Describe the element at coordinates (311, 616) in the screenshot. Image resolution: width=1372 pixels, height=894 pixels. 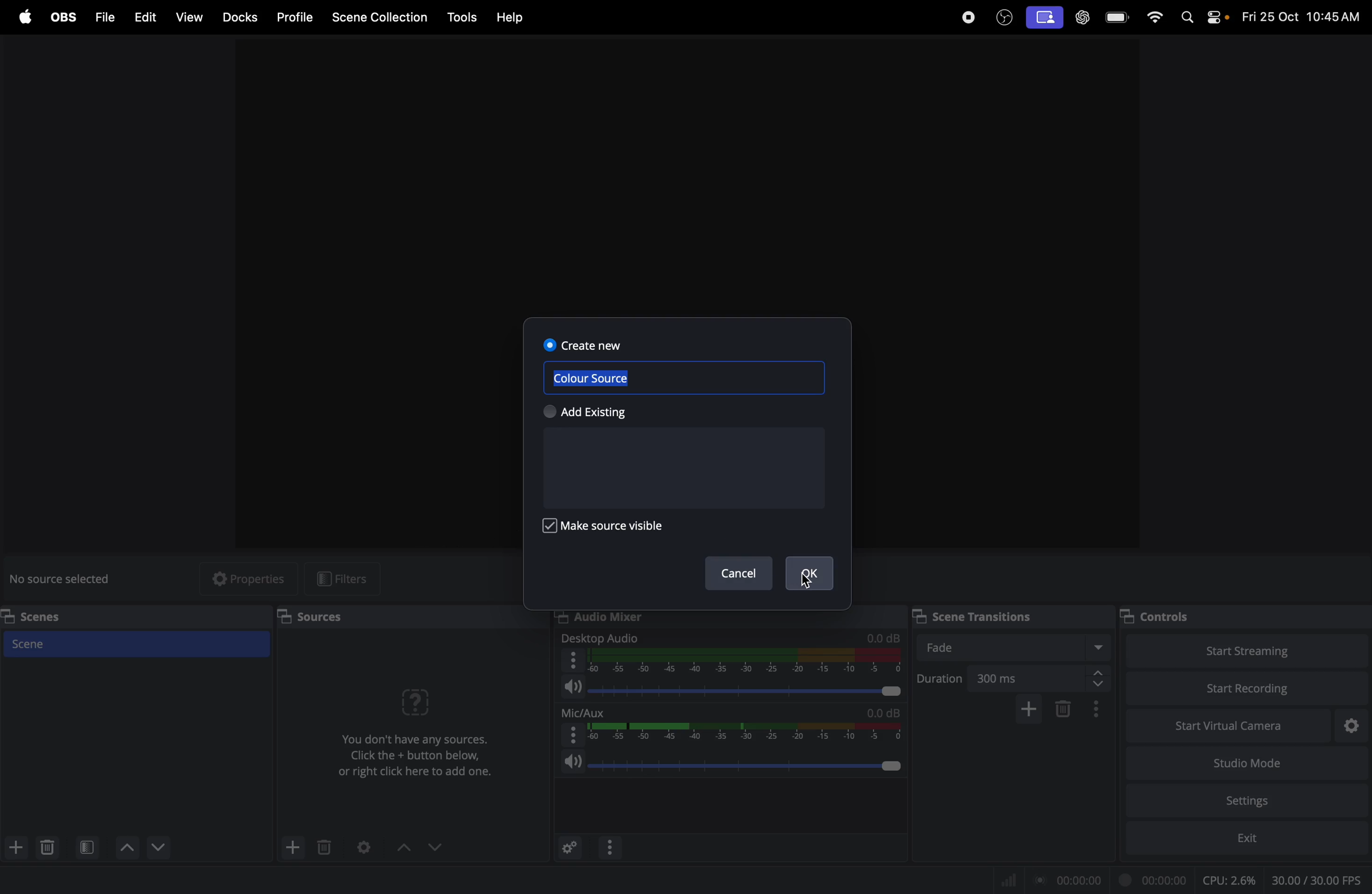
I see `Sources` at that location.